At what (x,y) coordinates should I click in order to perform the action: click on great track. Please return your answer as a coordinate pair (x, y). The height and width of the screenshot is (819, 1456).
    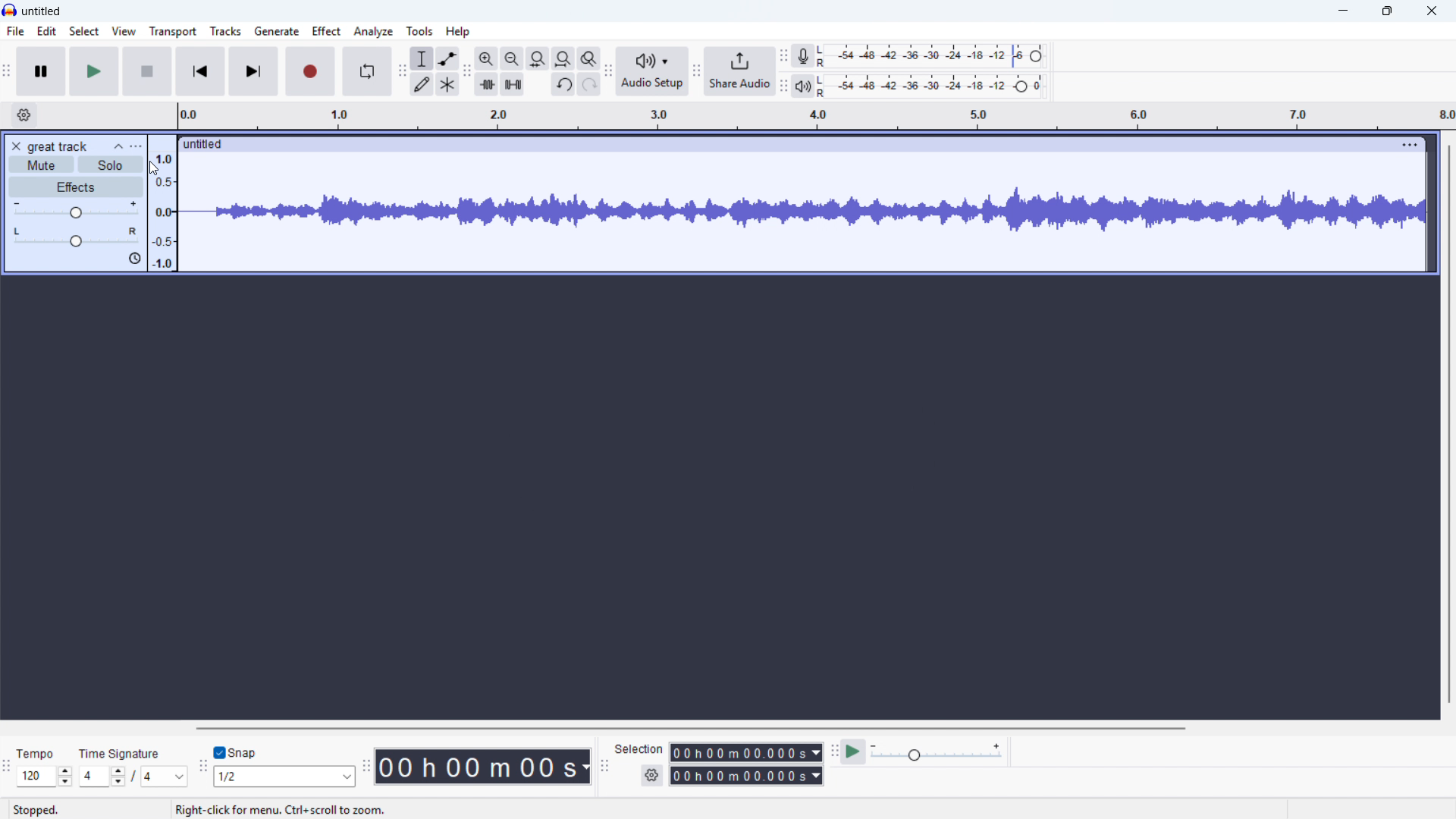
    Looking at the image, I should click on (61, 147).